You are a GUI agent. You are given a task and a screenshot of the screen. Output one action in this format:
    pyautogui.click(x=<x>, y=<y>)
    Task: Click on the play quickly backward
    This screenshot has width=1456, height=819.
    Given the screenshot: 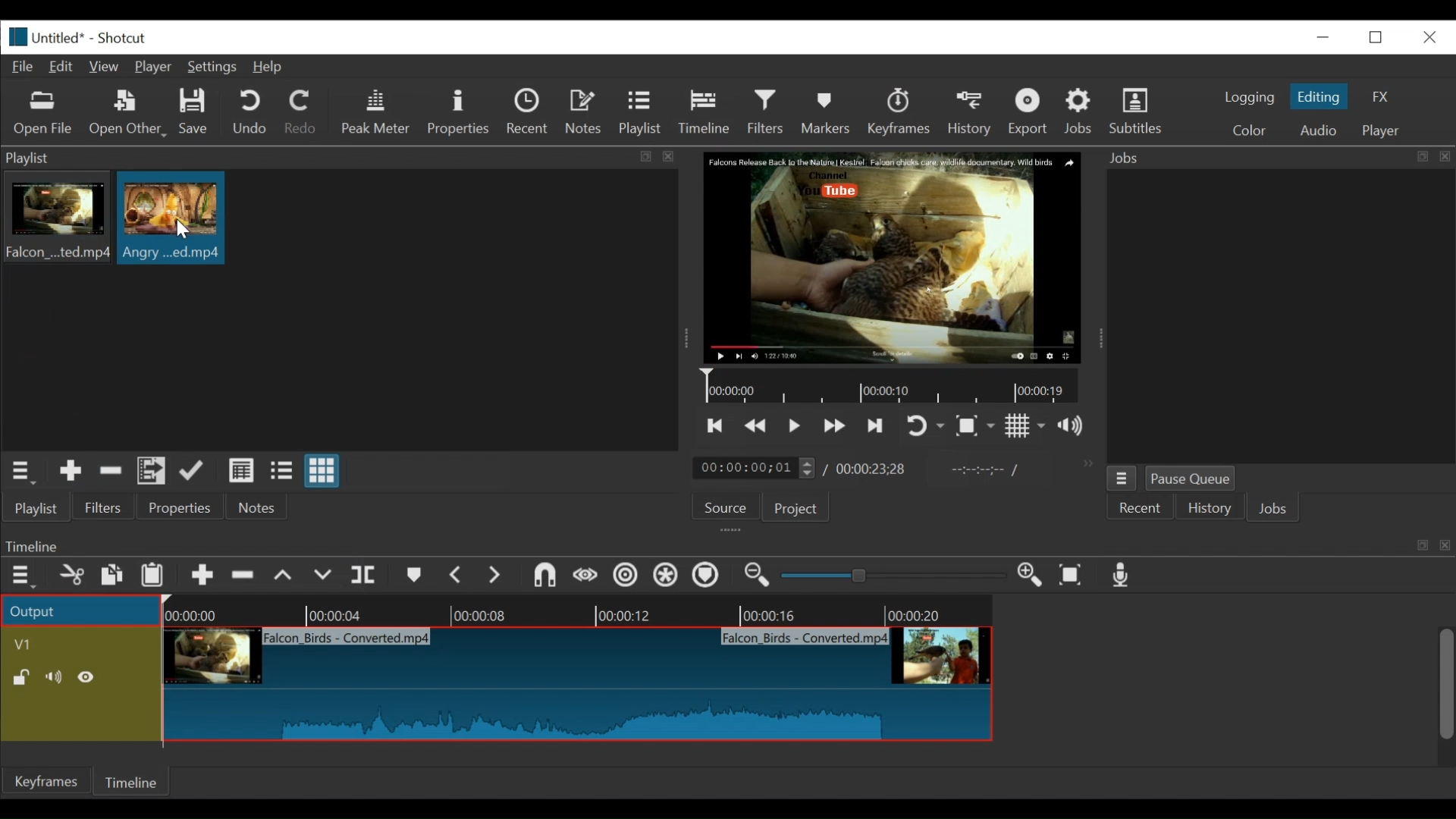 What is the action you would take?
    pyautogui.click(x=756, y=426)
    